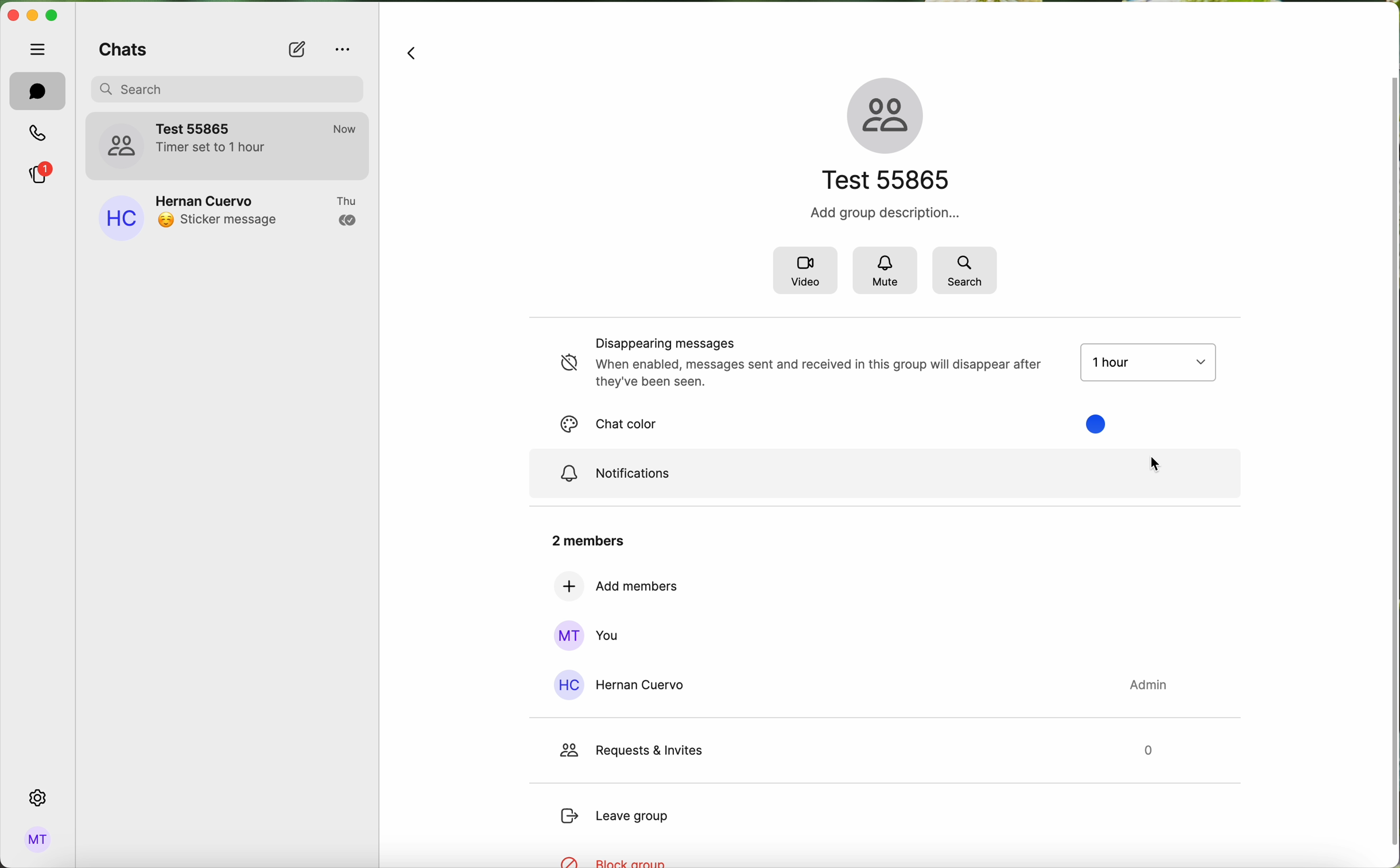 Image resolution: width=1400 pixels, height=868 pixels. I want to click on vertical scrollbar, so click(1391, 459).